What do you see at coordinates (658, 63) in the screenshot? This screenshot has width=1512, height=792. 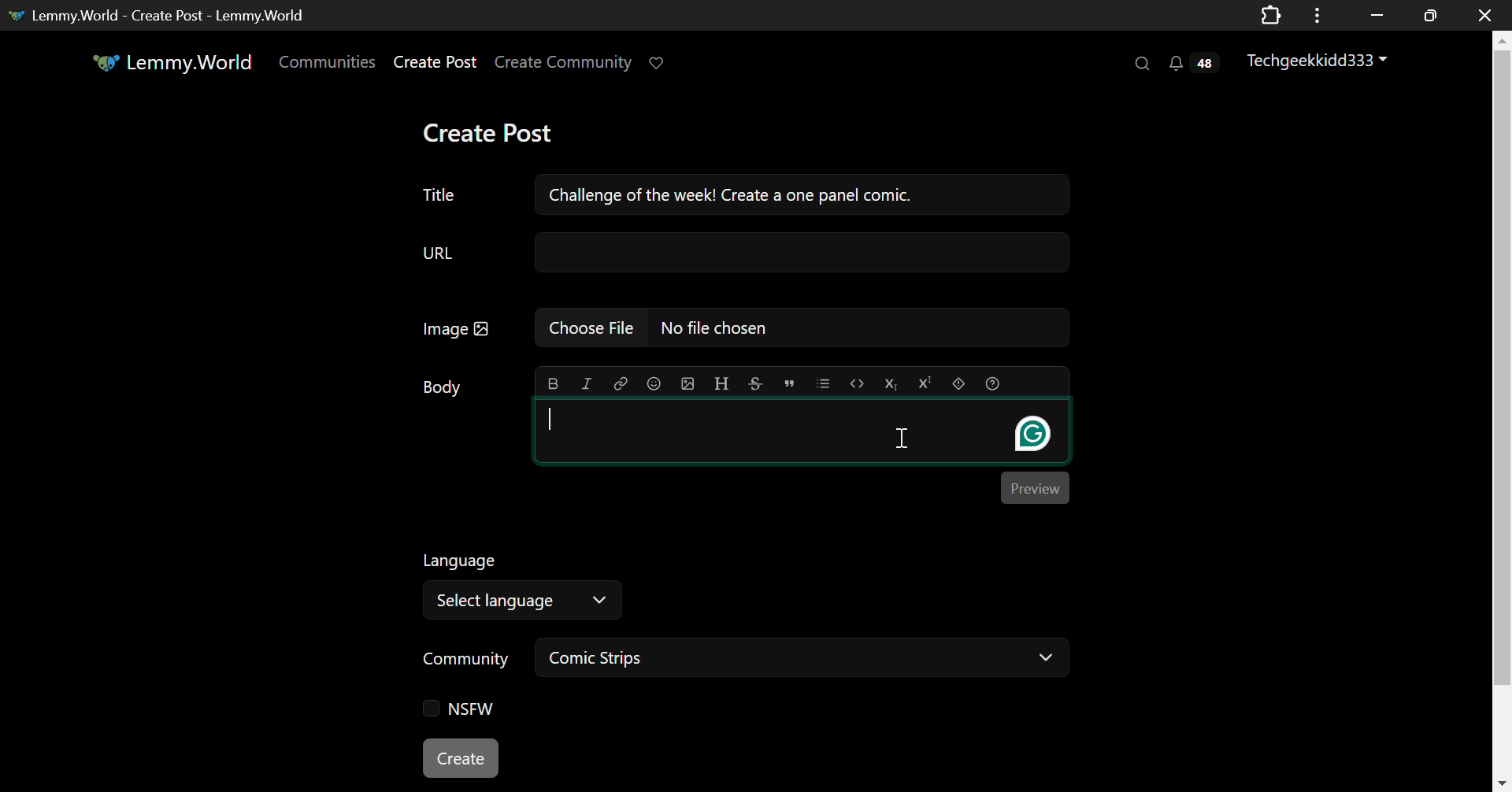 I see `Donate to Lemmy` at bounding box center [658, 63].